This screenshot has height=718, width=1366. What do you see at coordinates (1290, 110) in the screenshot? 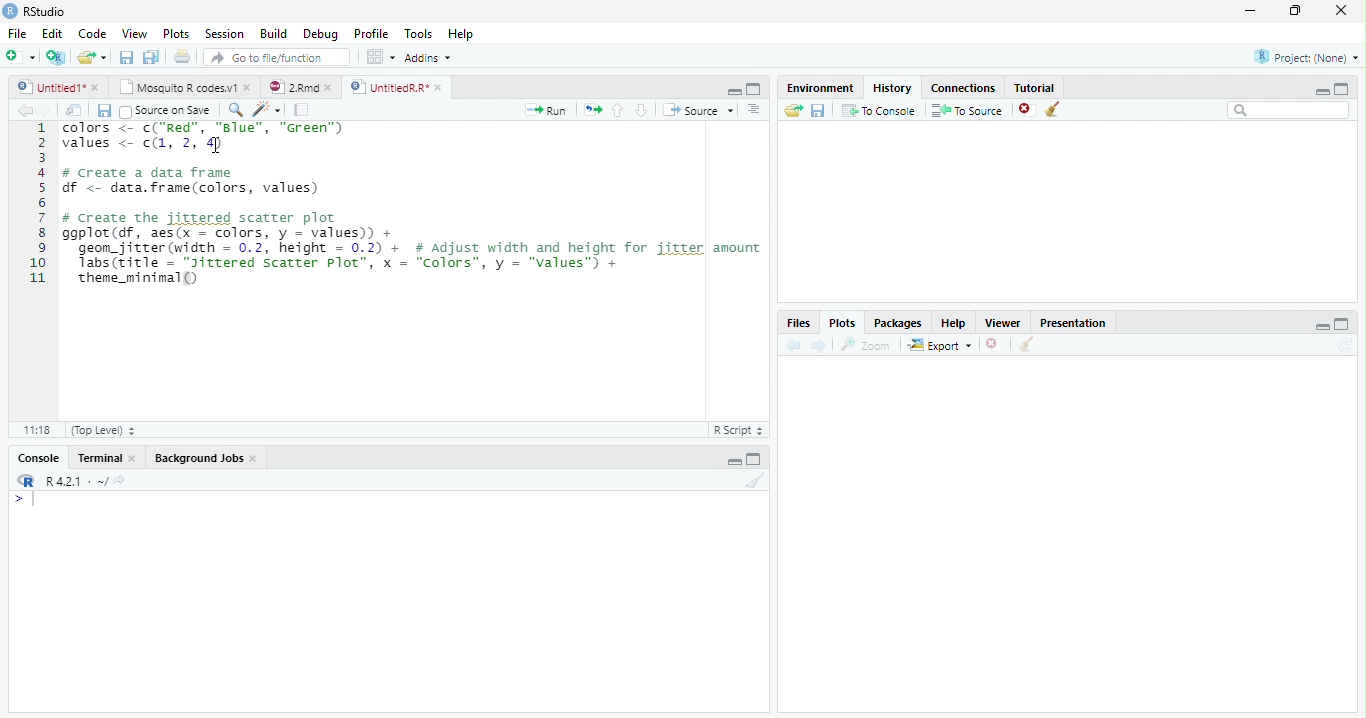
I see `Search bar` at bounding box center [1290, 110].